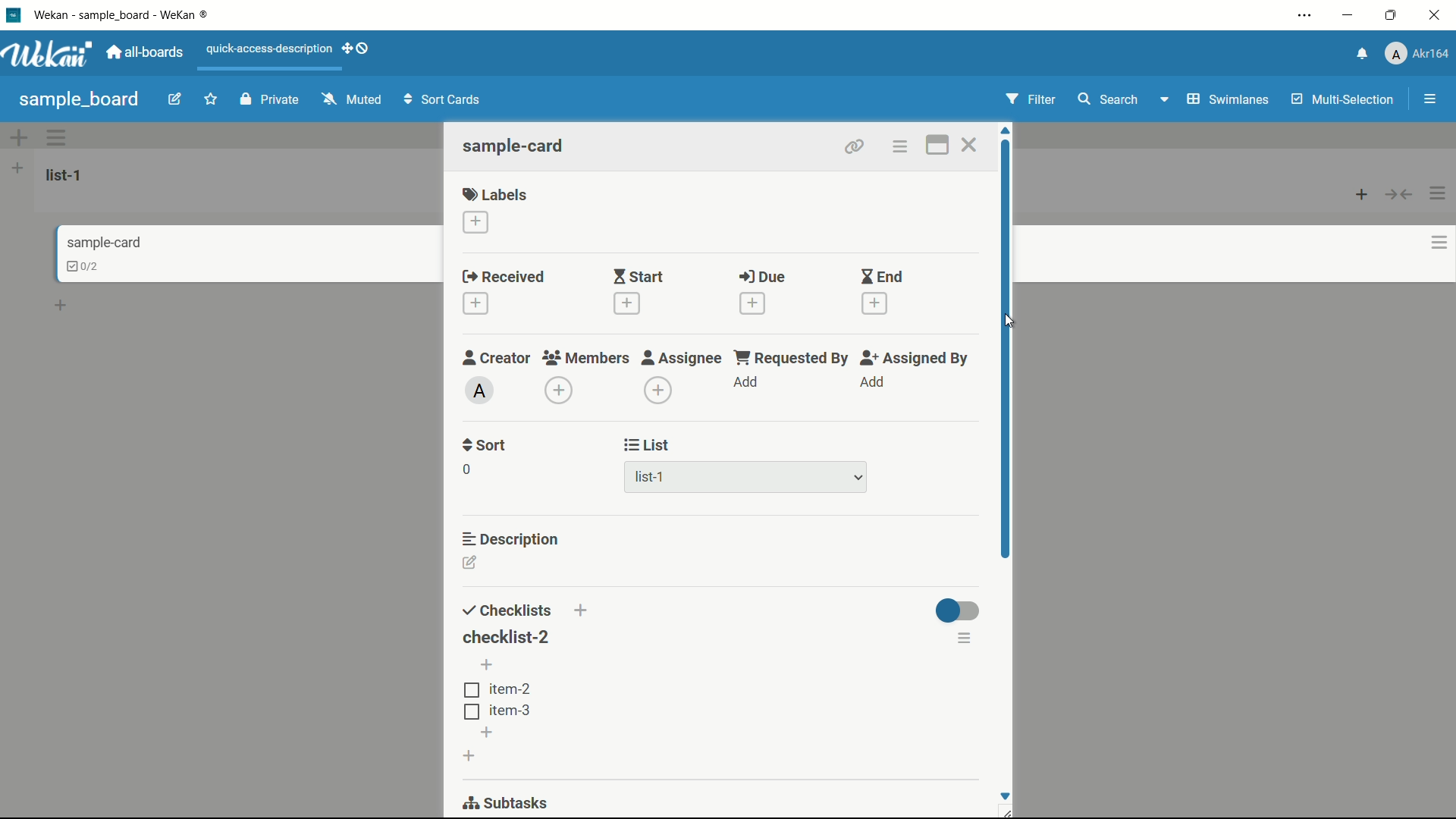  What do you see at coordinates (645, 478) in the screenshot?
I see `list-1` at bounding box center [645, 478].